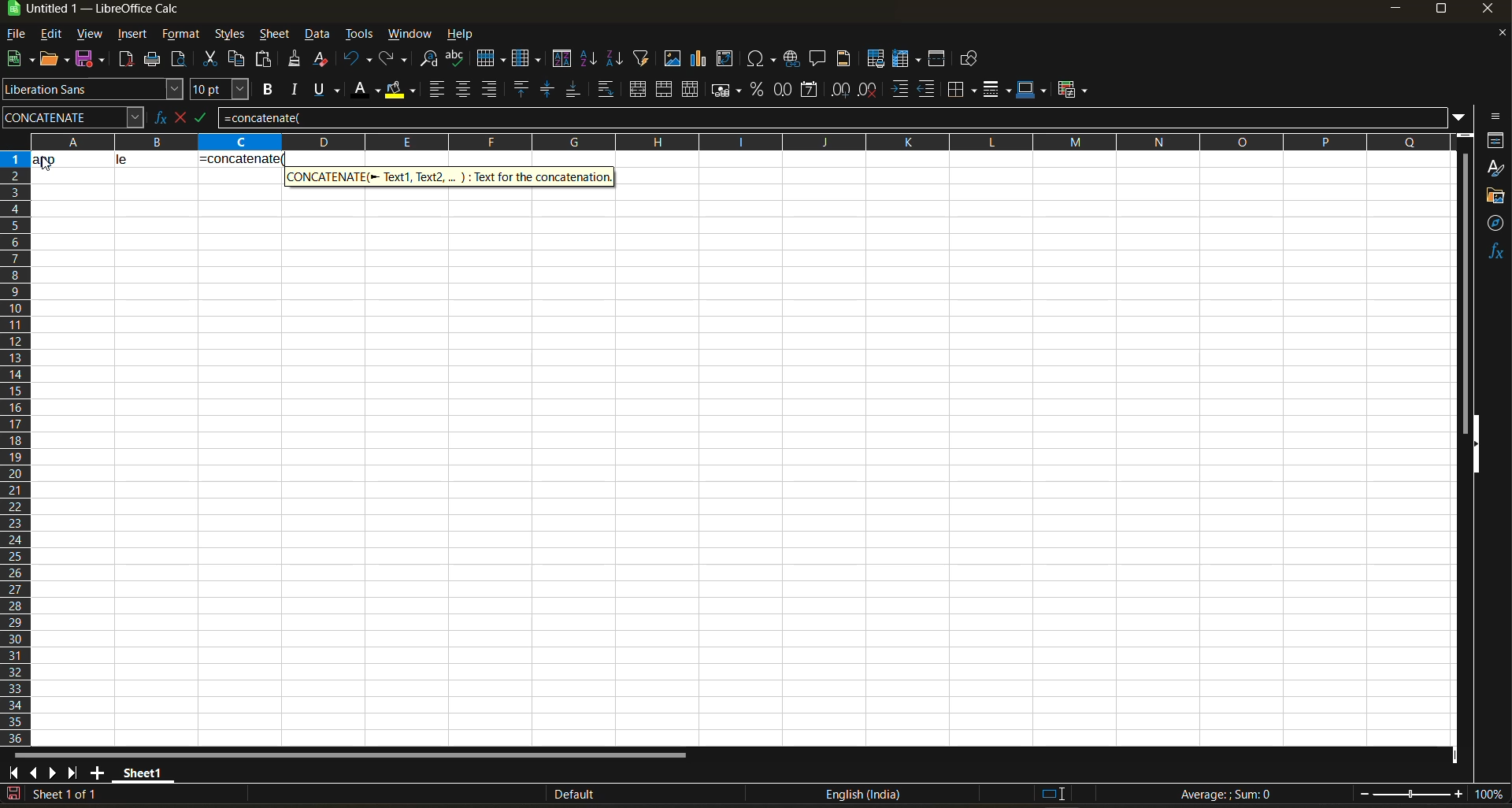 The height and width of the screenshot is (808, 1512). Describe the element at coordinates (1053, 793) in the screenshot. I see `standard selection` at that location.